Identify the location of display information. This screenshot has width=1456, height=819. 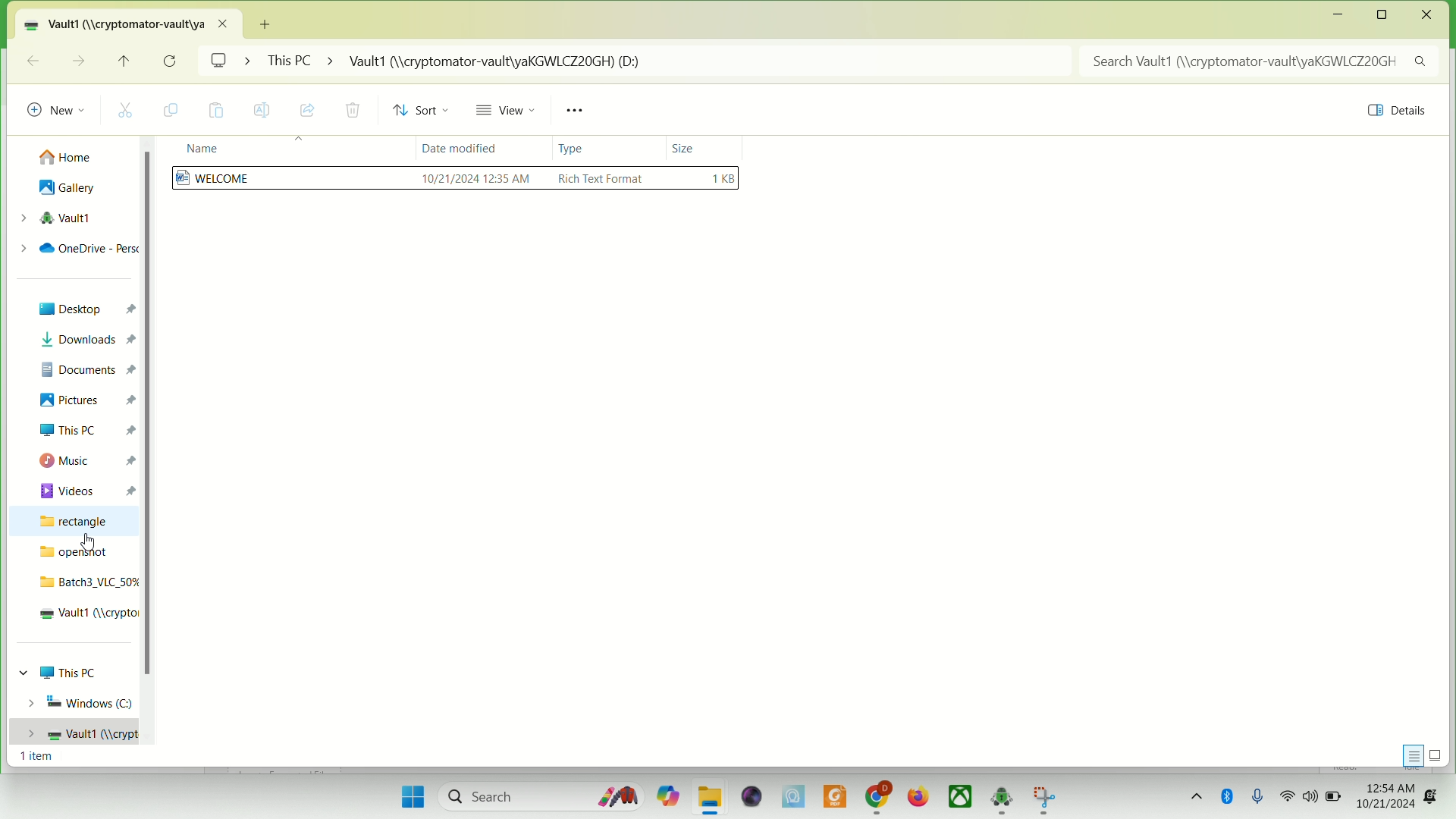
(1410, 754).